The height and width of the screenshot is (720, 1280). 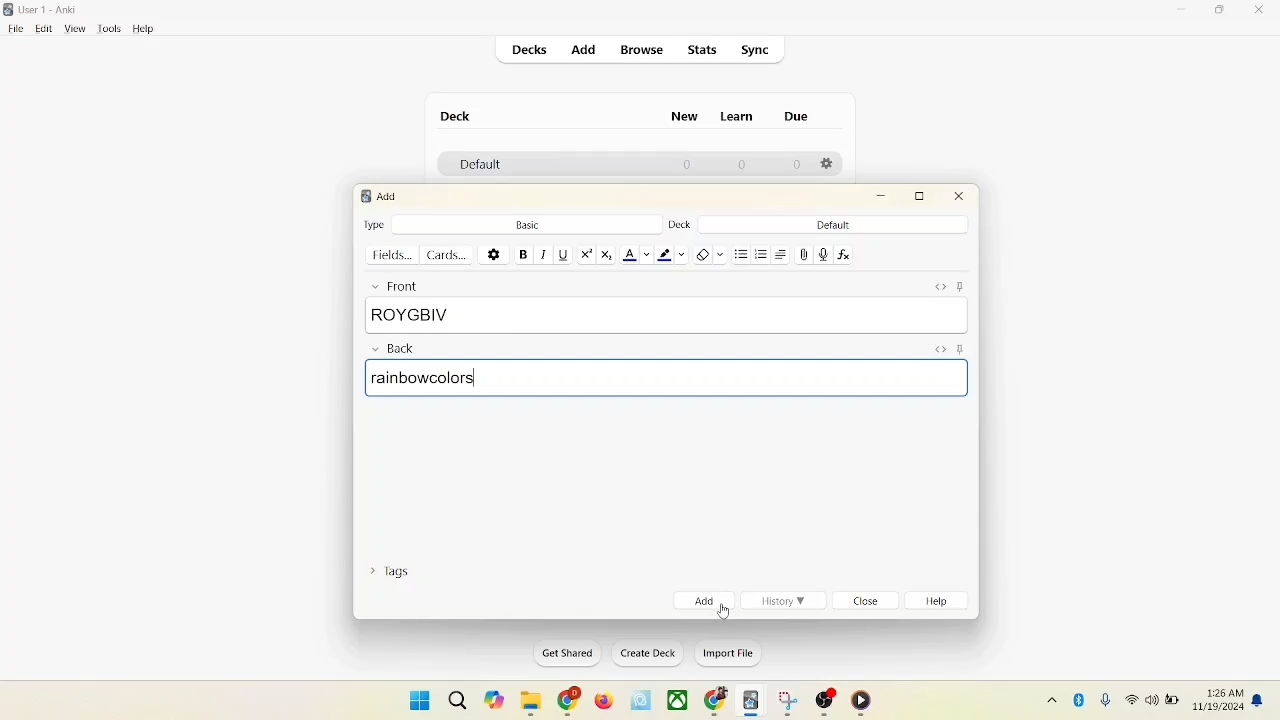 What do you see at coordinates (394, 255) in the screenshot?
I see `fields` at bounding box center [394, 255].